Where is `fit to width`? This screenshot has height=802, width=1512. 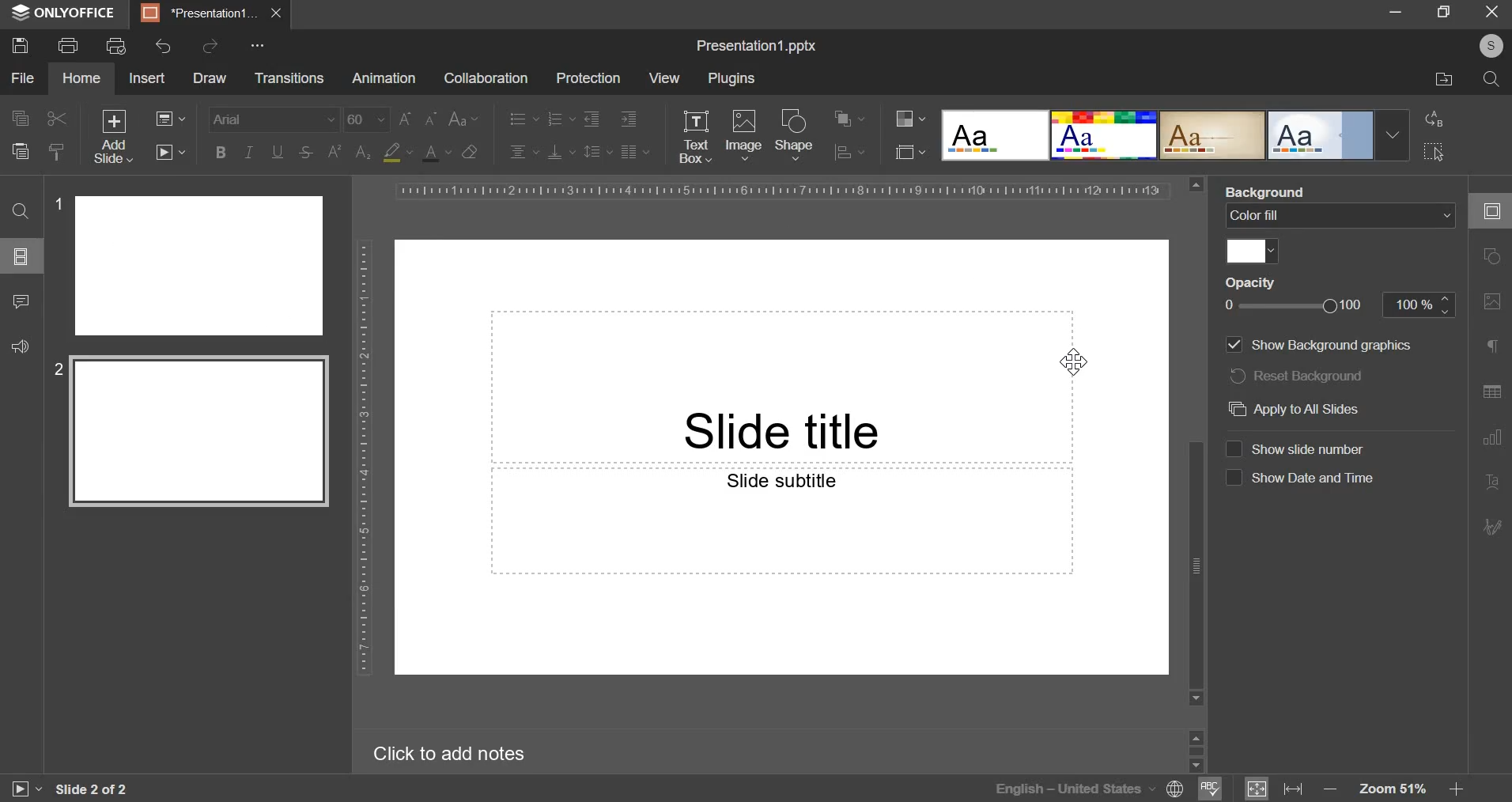
fit to width is located at coordinates (1295, 788).